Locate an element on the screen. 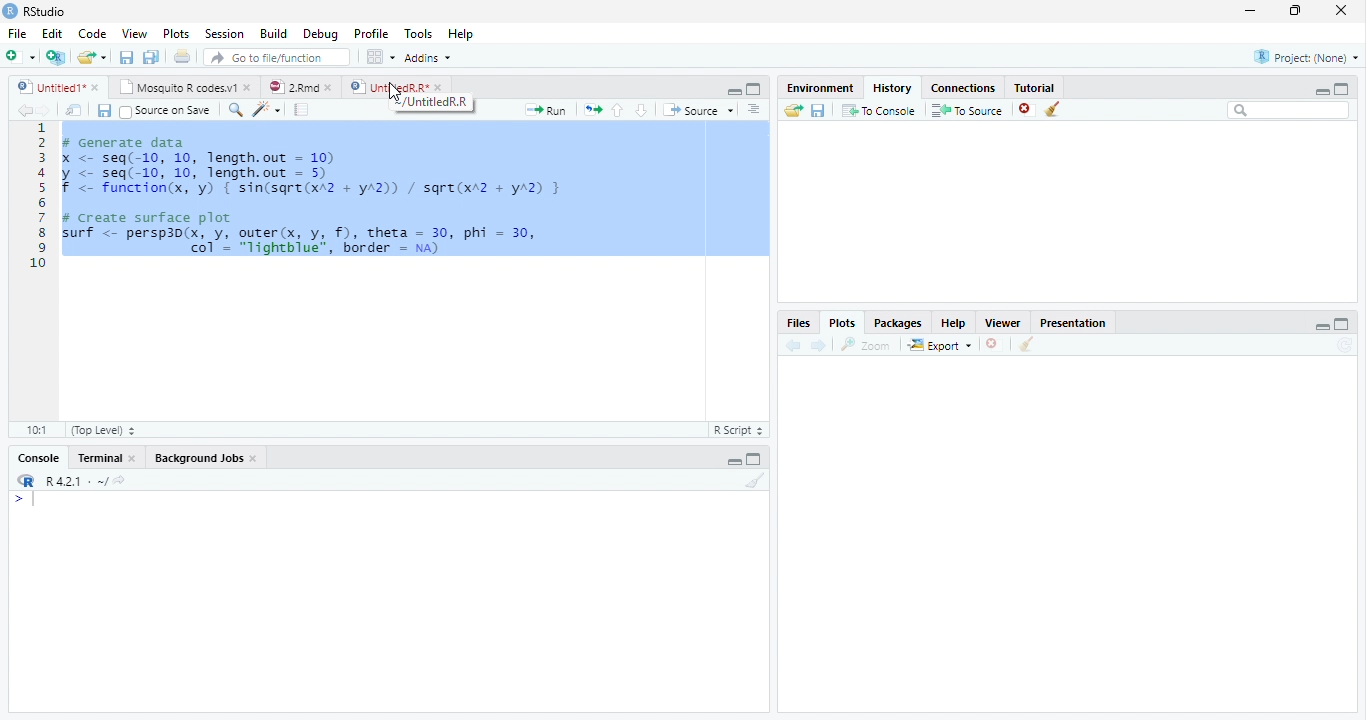 The width and height of the screenshot is (1366, 720). Profile is located at coordinates (372, 33).